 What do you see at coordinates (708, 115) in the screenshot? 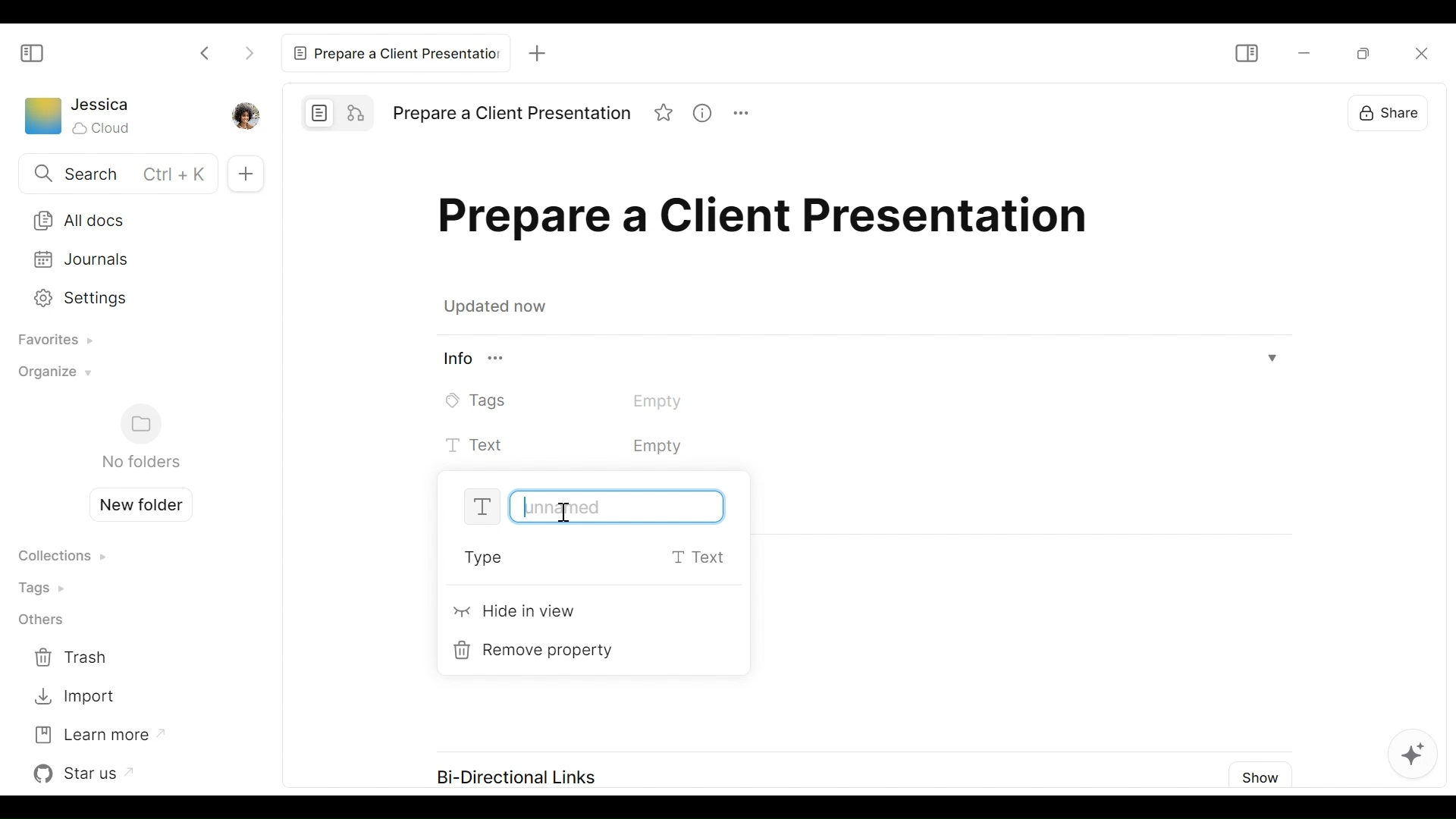
I see `View Information` at bounding box center [708, 115].